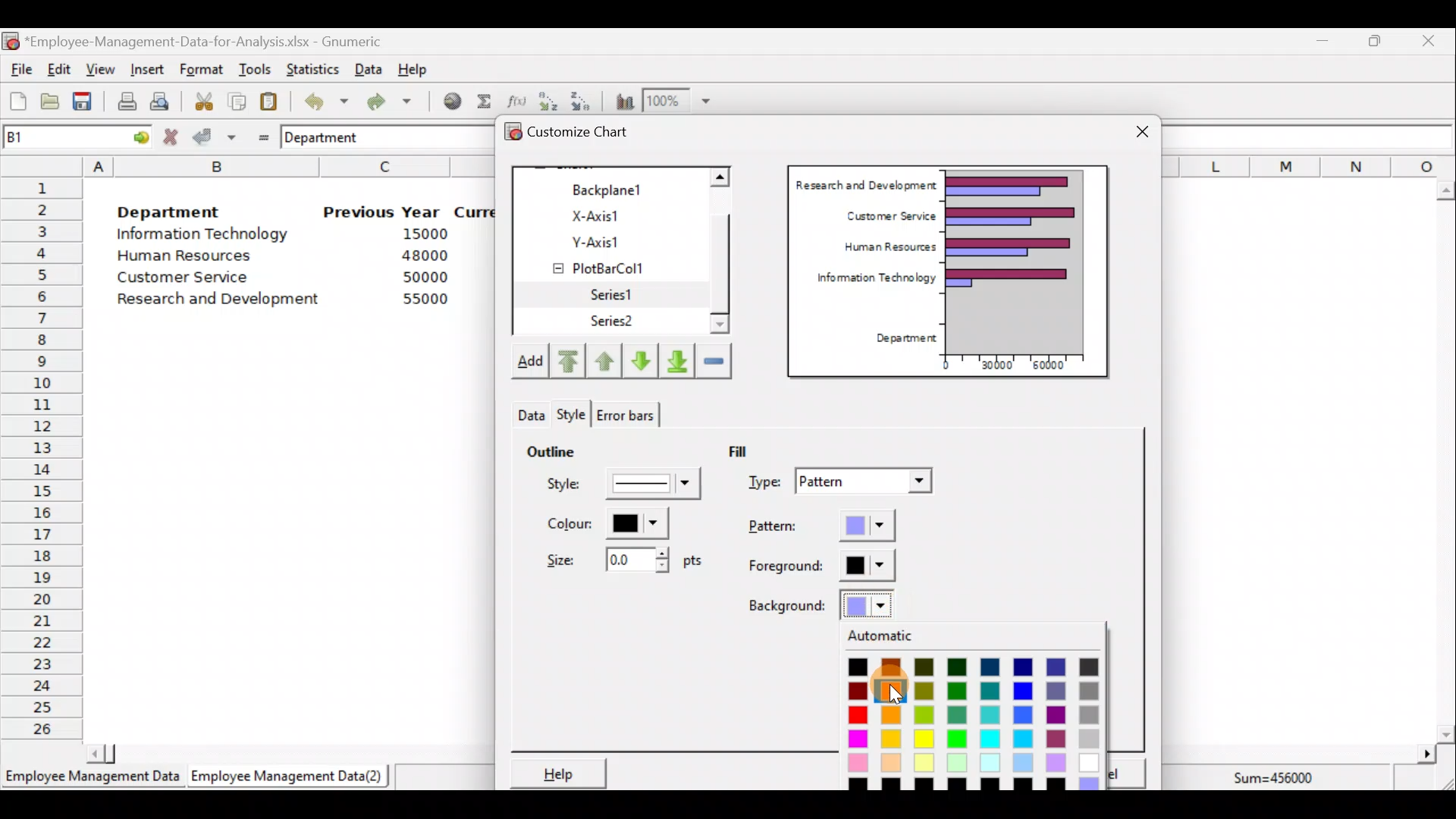  I want to click on Style, so click(626, 488).